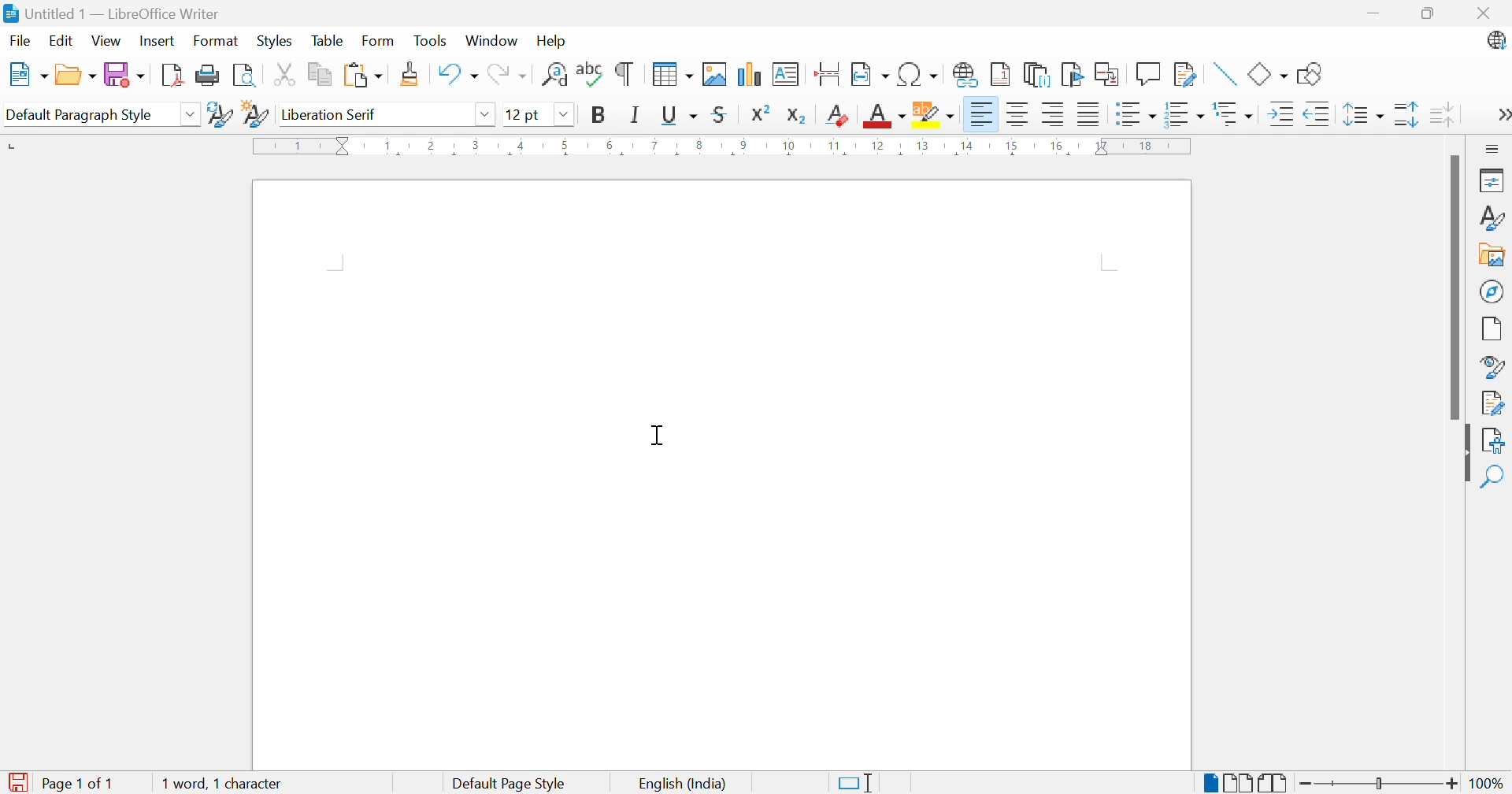 The height and width of the screenshot is (794, 1512). I want to click on Format, so click(218, 41).